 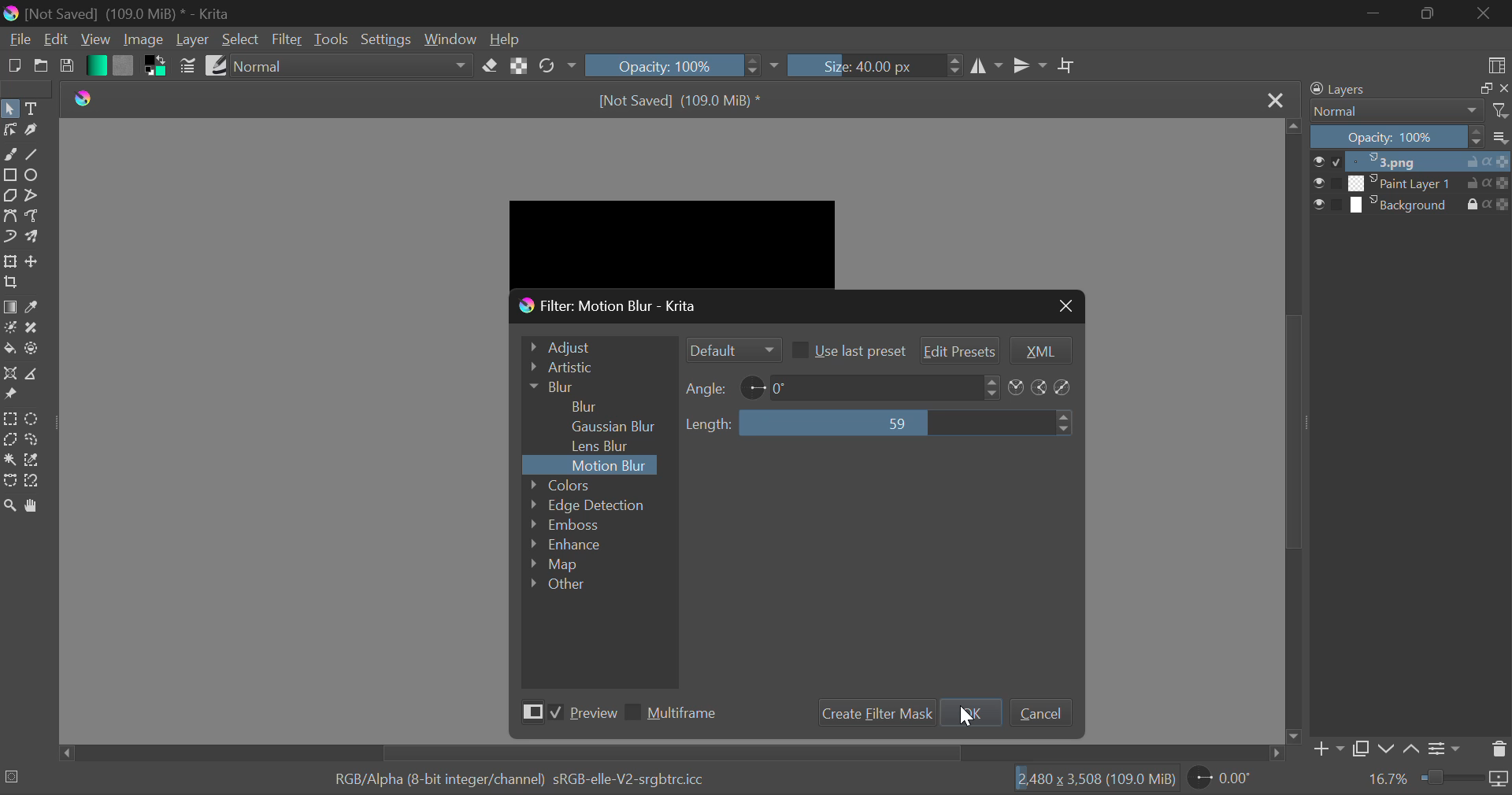 What do you see at coordinates (450, 39) in the screenshot?
I see `Window` at bounding box center [450, 39].